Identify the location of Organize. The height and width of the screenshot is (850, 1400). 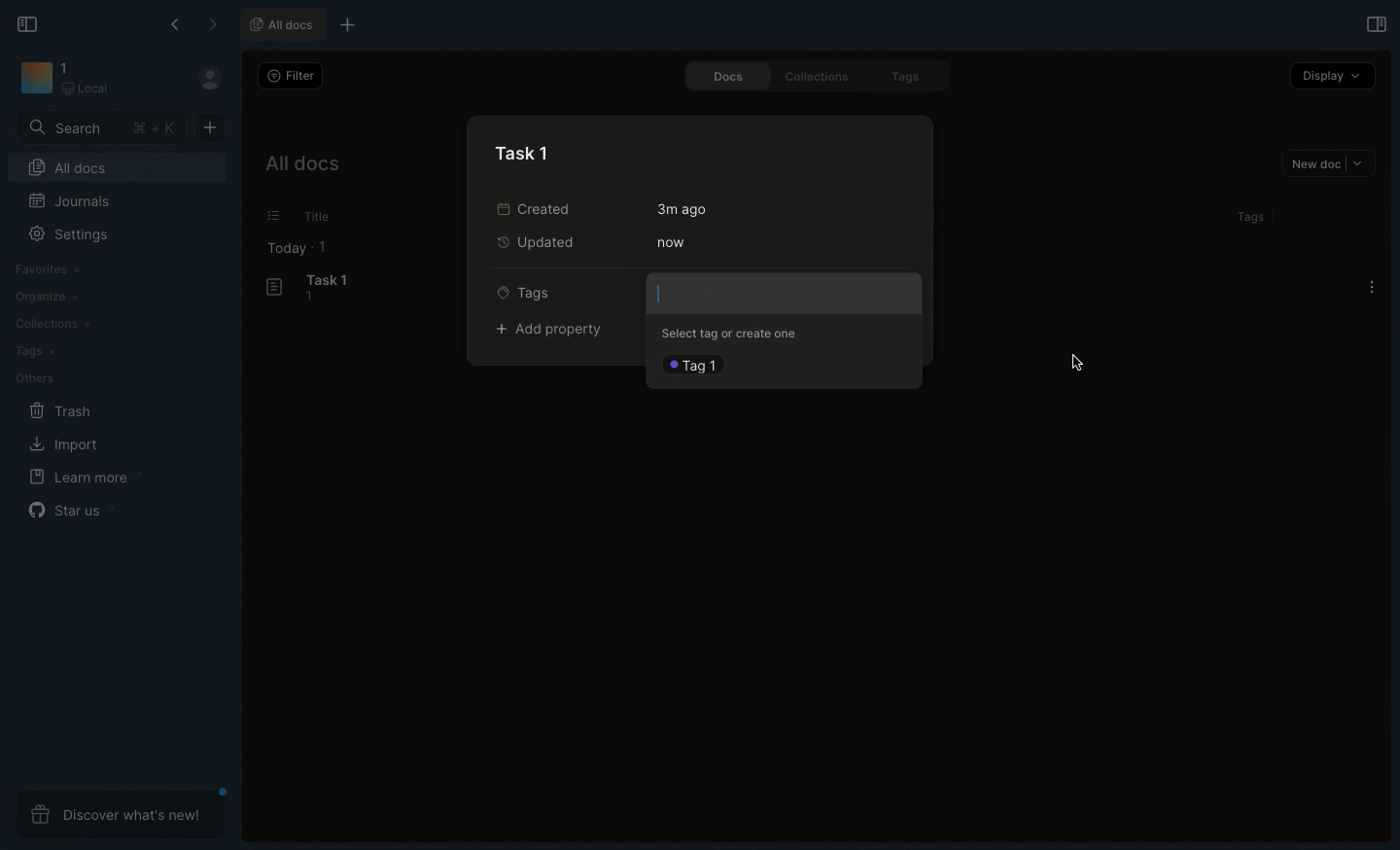
(48, 298).